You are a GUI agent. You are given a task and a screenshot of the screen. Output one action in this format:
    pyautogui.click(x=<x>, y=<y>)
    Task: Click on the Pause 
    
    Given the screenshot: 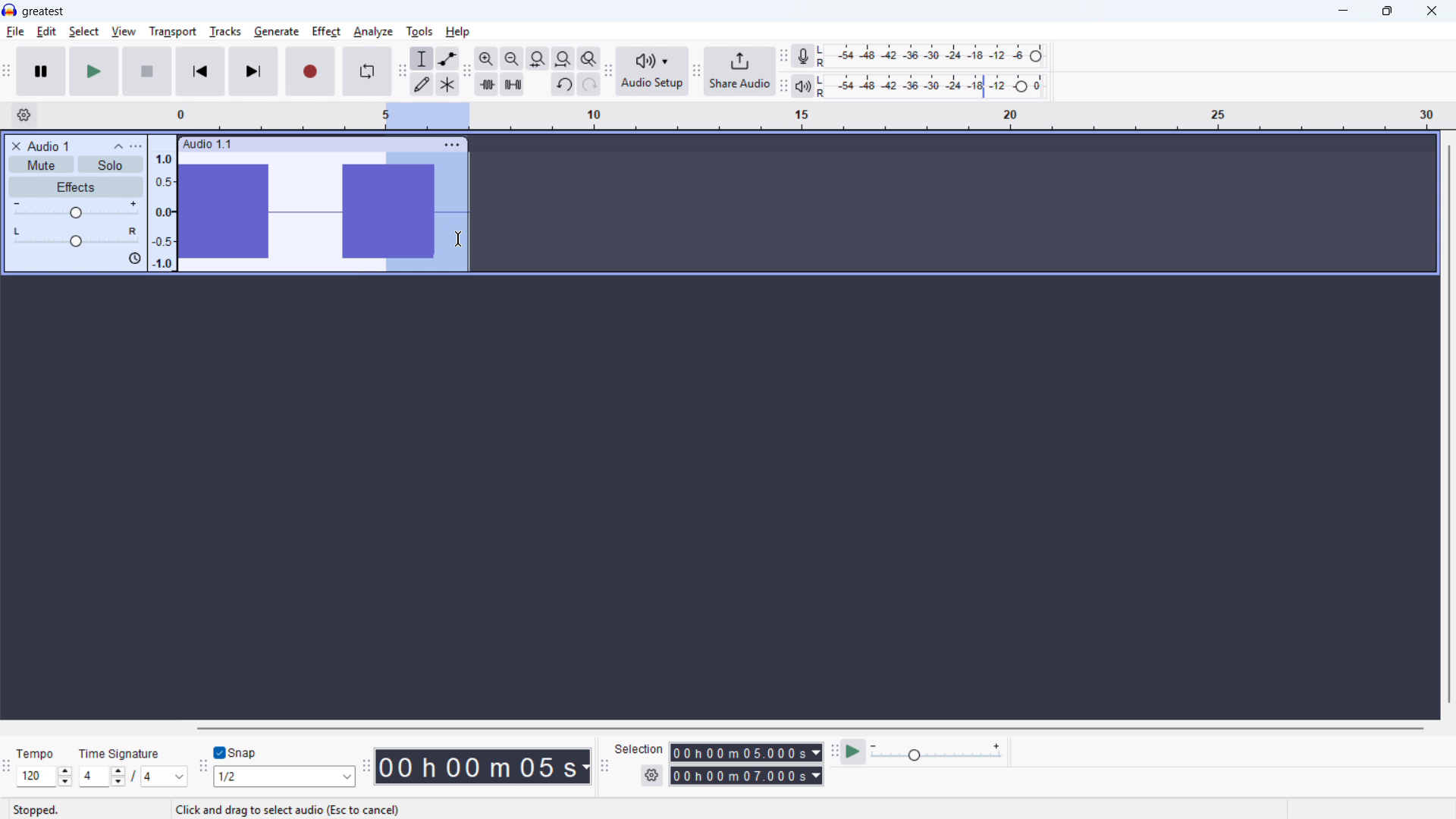 What is the action you would take?
    pyautogui.click(x=41, y=71)
    